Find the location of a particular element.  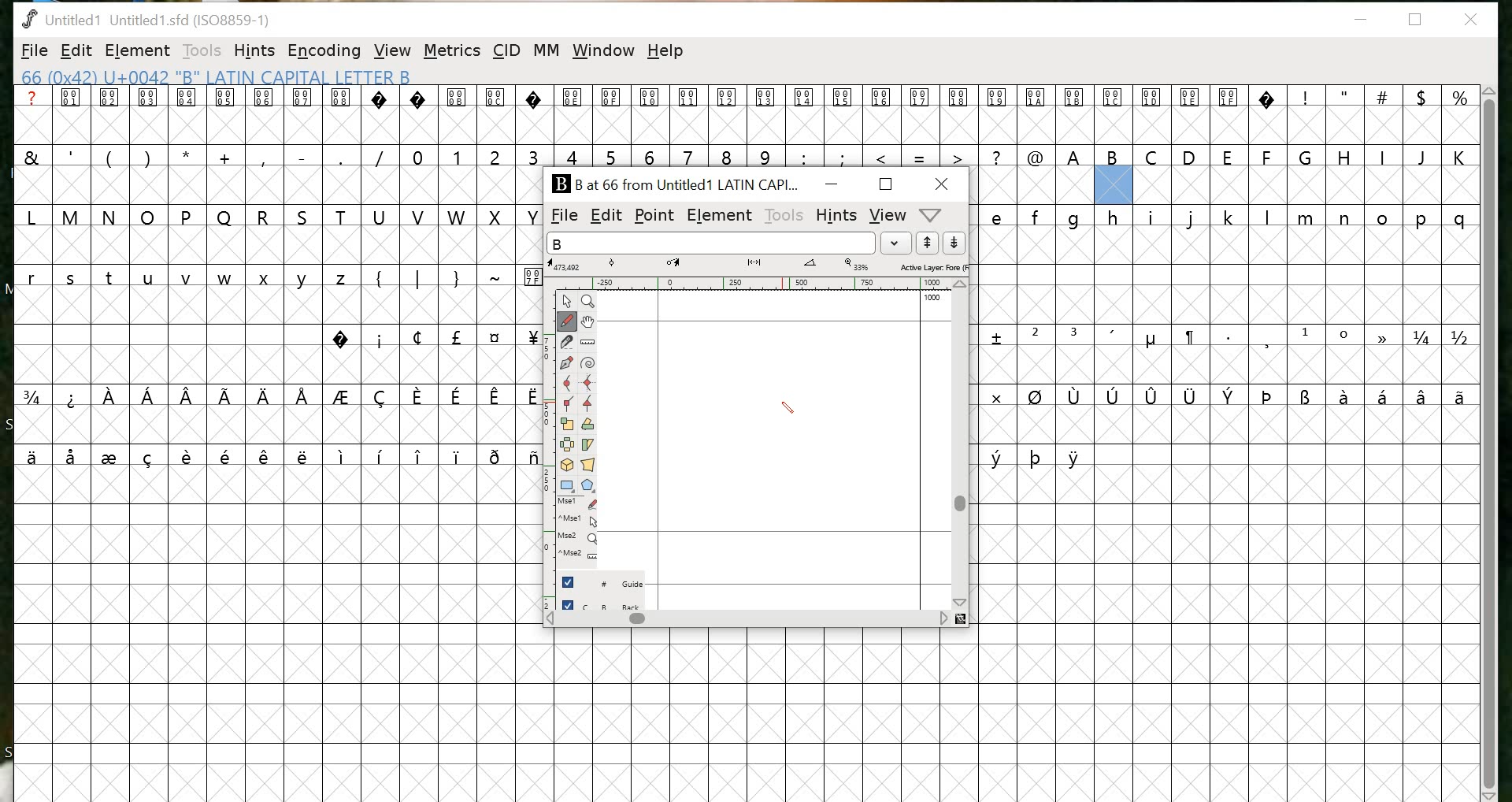

Mouse left button + Ctrl is located at coordinates (582, 522).